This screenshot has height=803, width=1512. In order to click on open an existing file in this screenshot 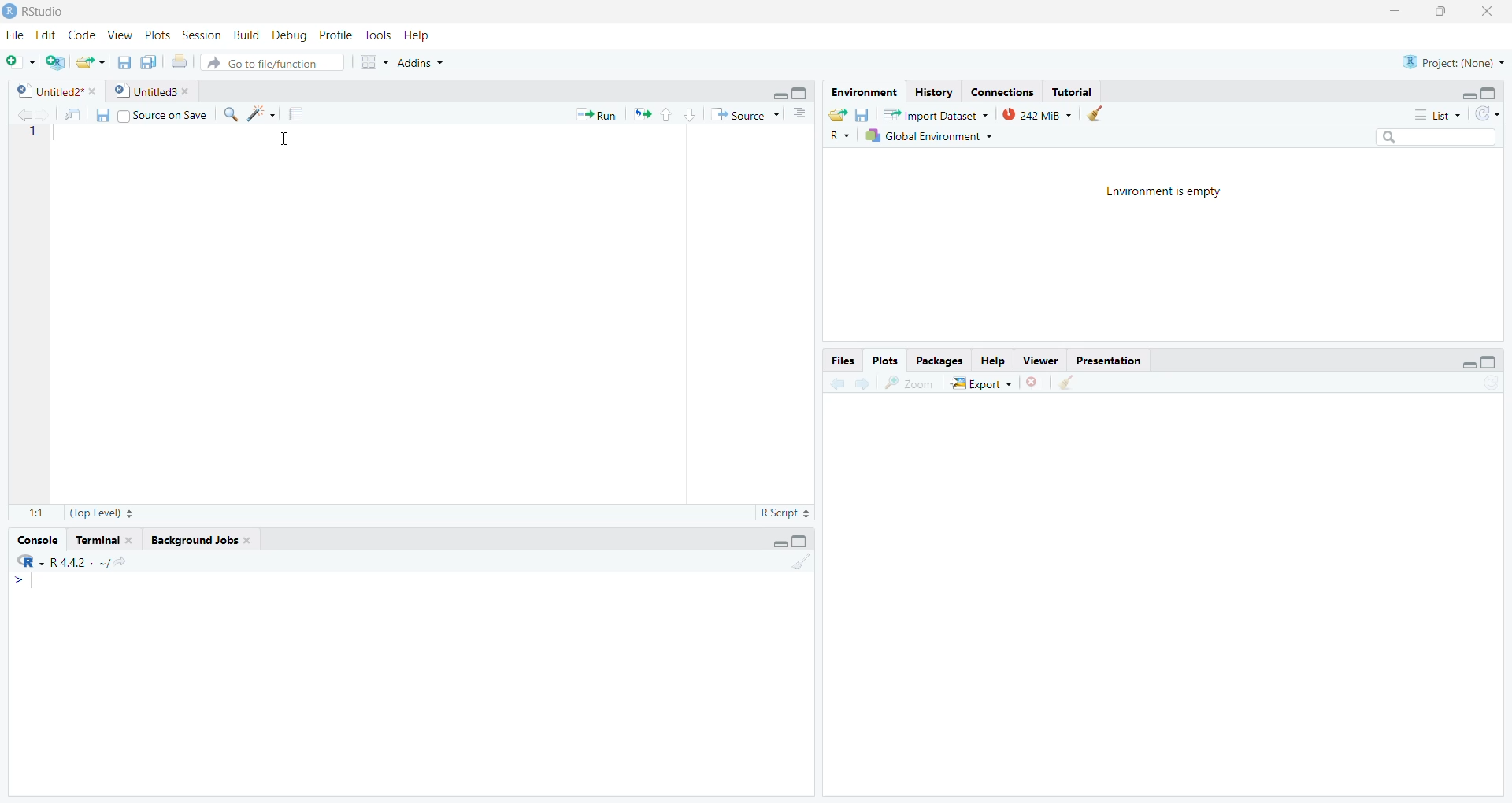, I will do `click(91, 61)`.